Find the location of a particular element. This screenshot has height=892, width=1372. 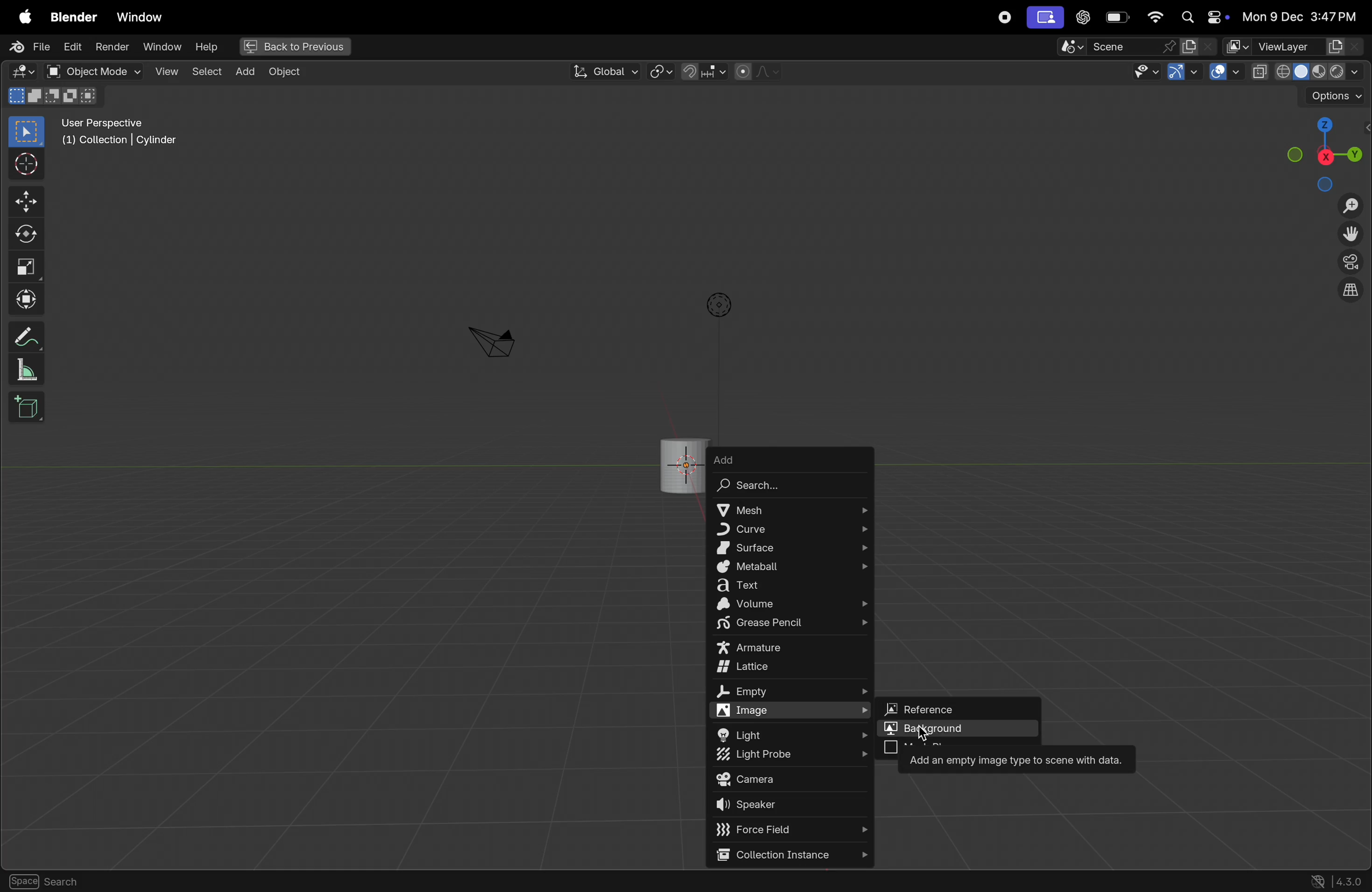

wifi is located at coordinates (1155, 17).